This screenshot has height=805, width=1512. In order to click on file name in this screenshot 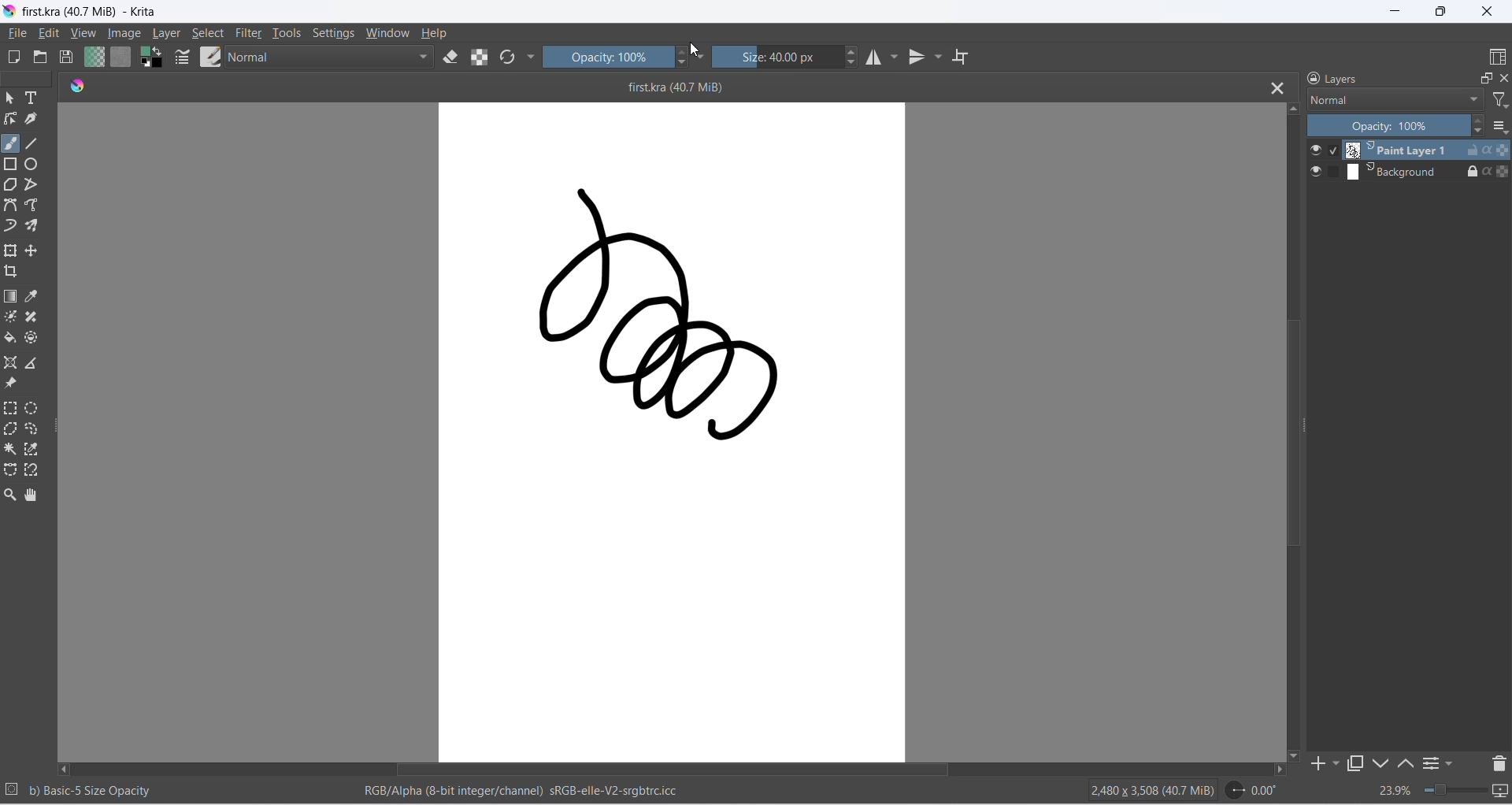, I will do `click(659, 87)`.